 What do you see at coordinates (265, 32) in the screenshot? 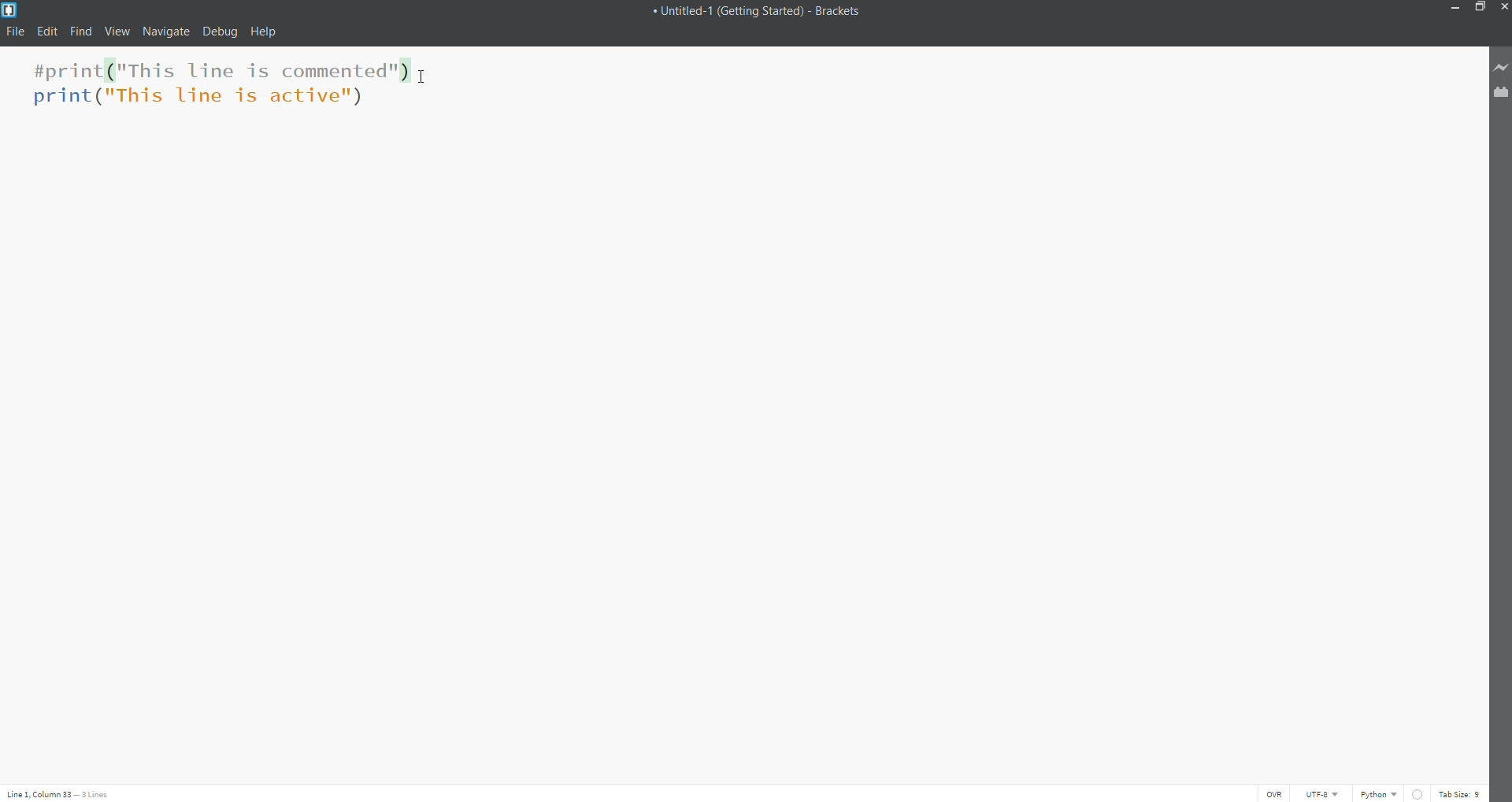
I see `Help` at bounding box center [265, 32].